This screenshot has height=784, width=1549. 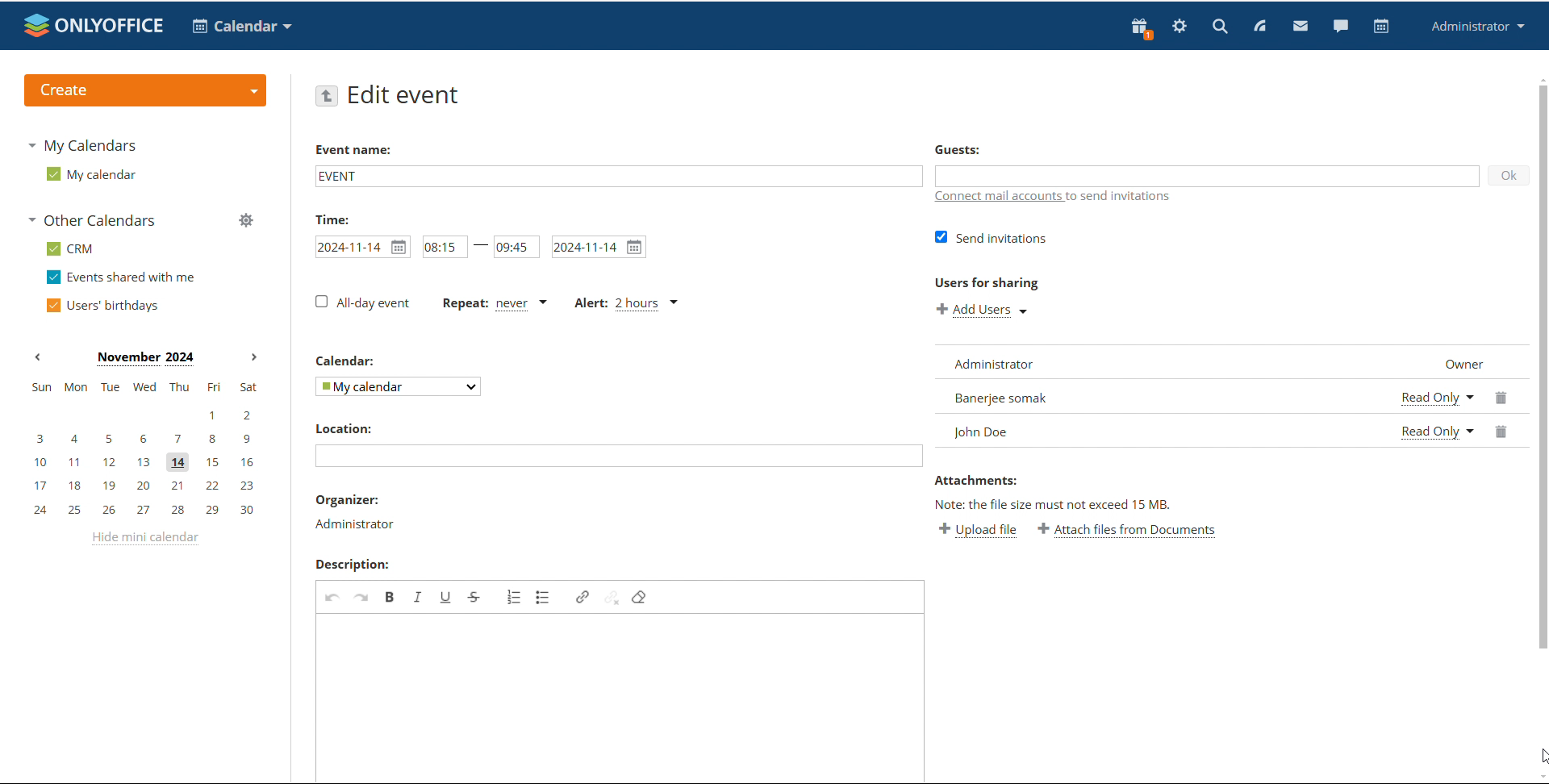 What do you see at coordinates (1220, 25) in the screenshot?
I see `search` at bounding box center [1220, 25].